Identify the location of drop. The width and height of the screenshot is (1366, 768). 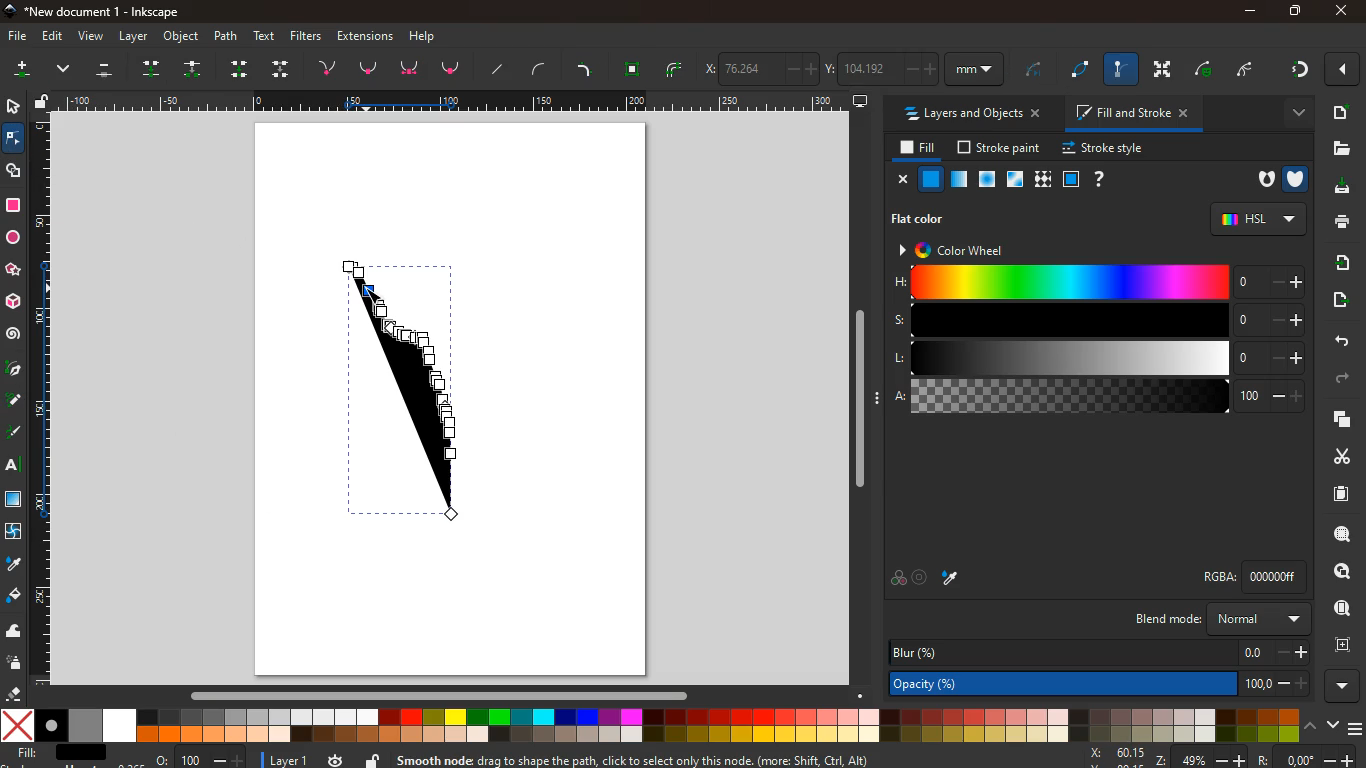
(954, 580).